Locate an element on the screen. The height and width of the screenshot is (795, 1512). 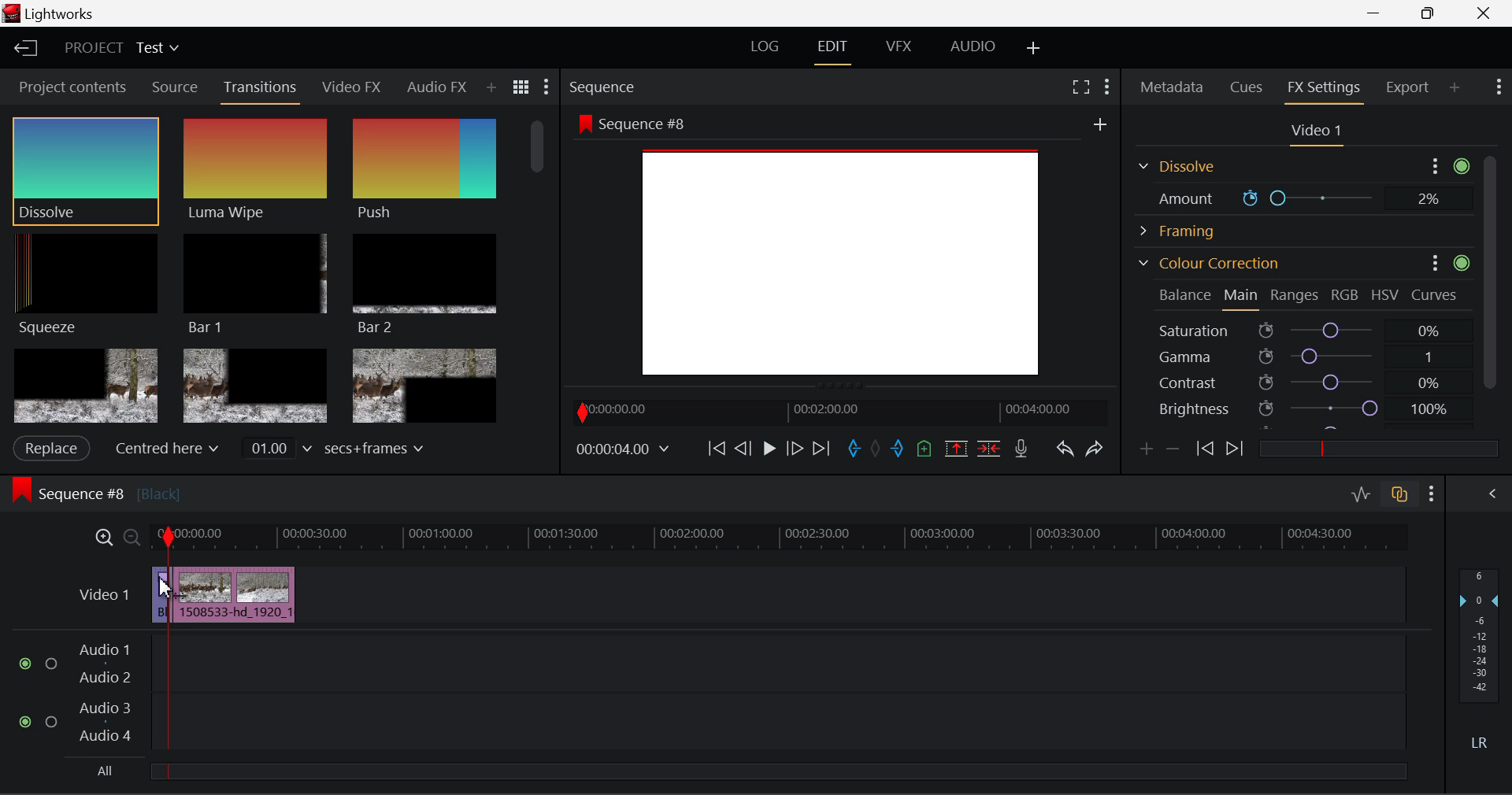
secs-frames input field is located at coordinates (335, 447).